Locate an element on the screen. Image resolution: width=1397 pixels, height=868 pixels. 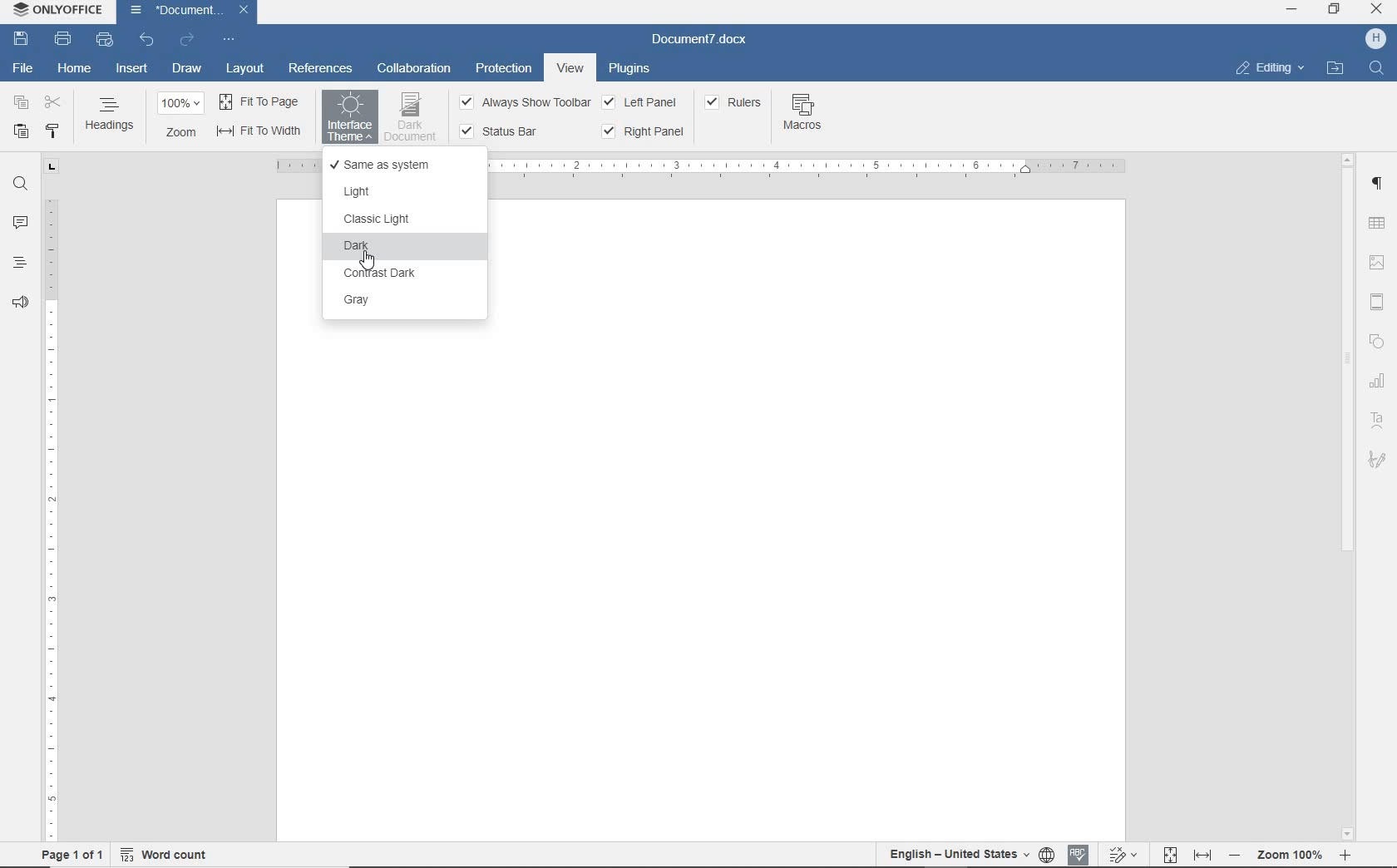
ZOOM is located at coordinates (180, 133).